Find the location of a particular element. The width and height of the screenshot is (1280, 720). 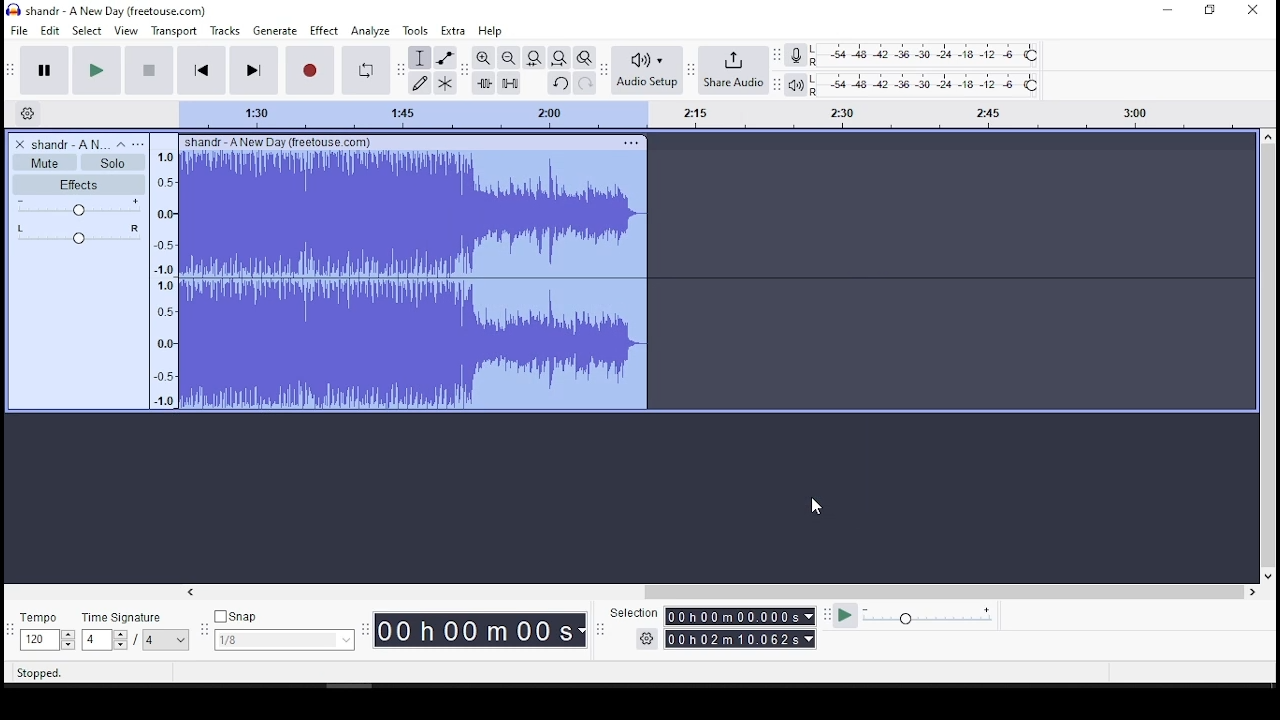

redo is located at coordinates (585, 82).